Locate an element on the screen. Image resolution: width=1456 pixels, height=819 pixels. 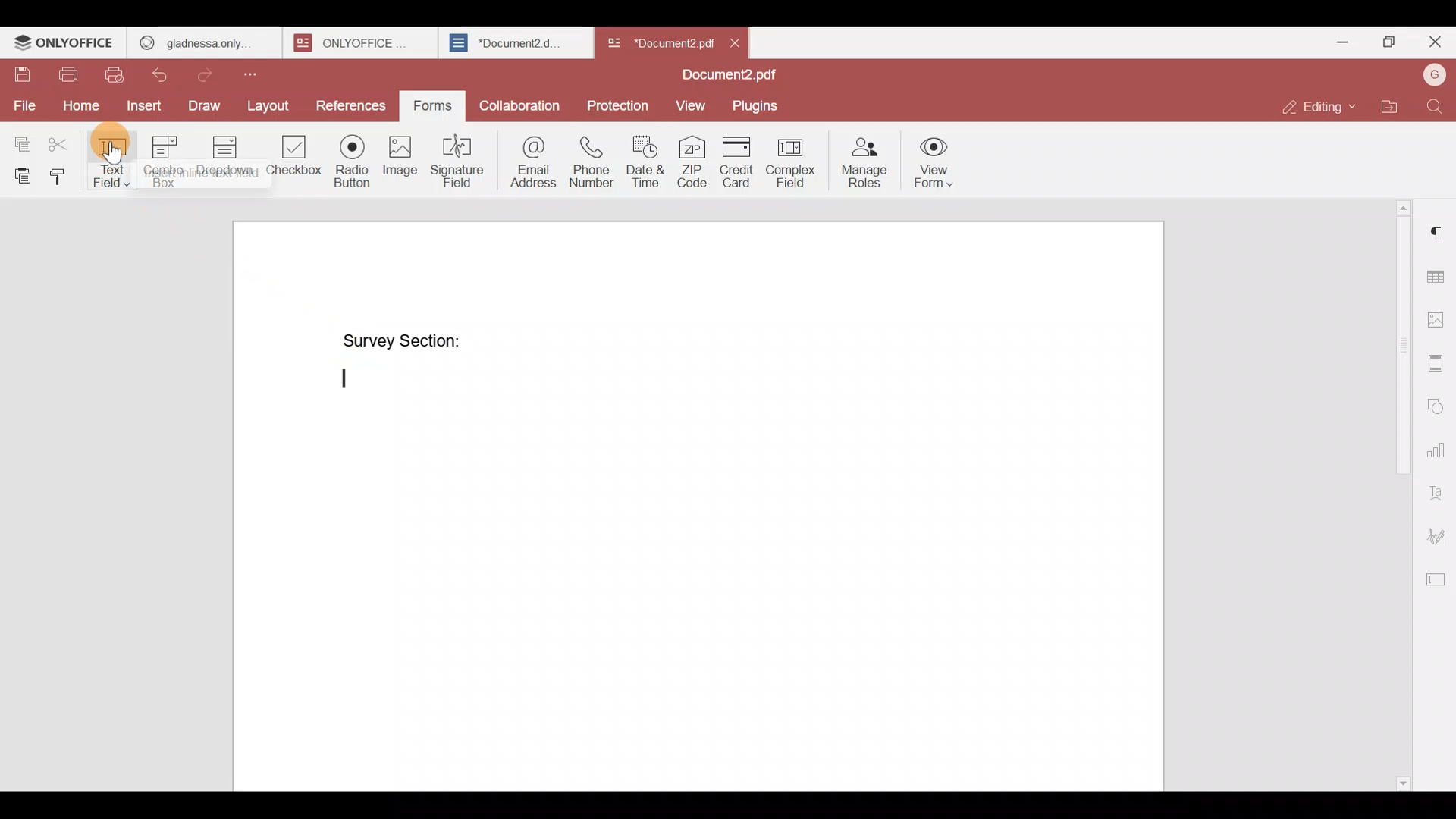
Combo box is located at coordinates (161, 161).